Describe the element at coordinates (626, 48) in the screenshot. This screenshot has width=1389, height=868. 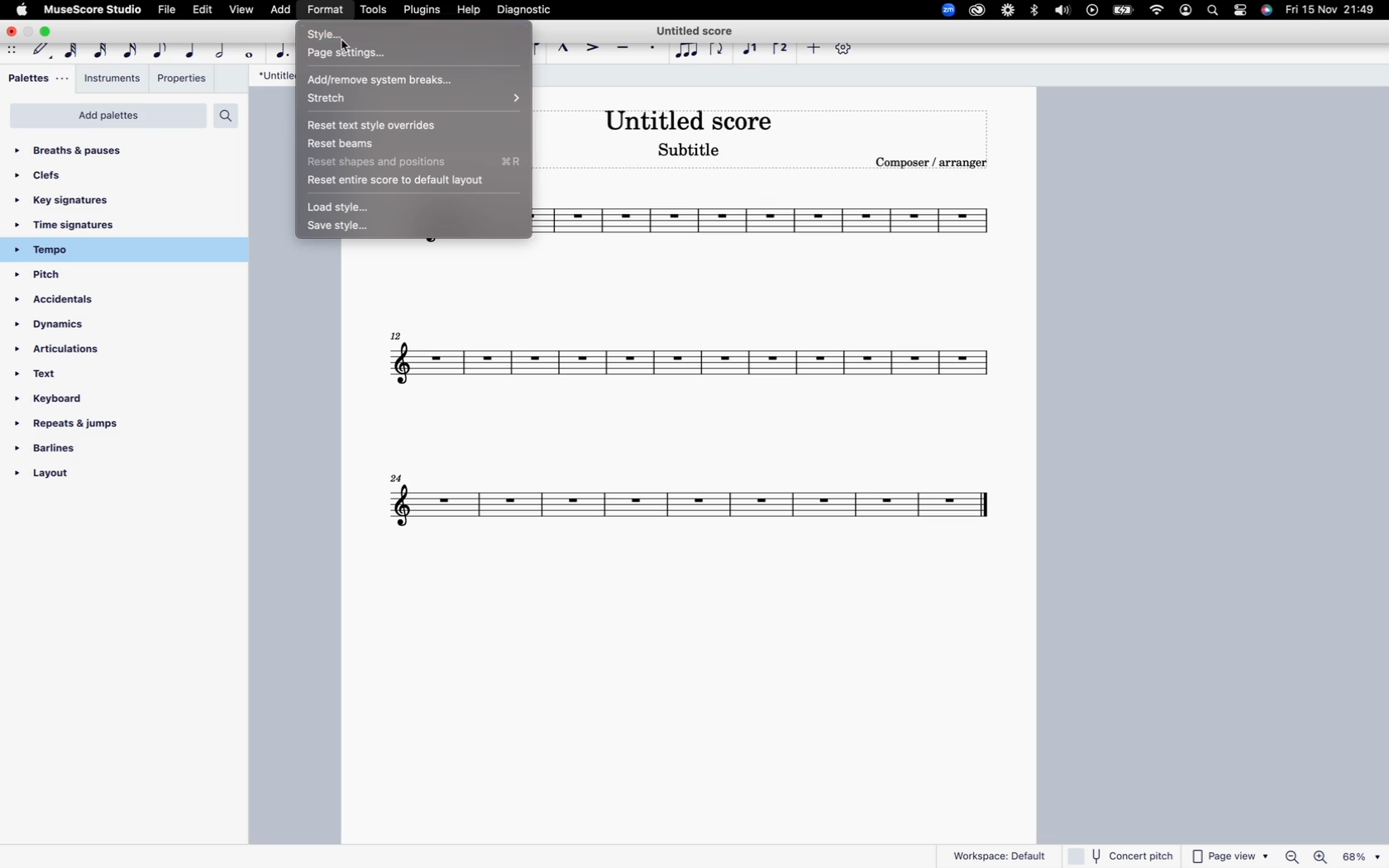
I see `tenuto` at that location.